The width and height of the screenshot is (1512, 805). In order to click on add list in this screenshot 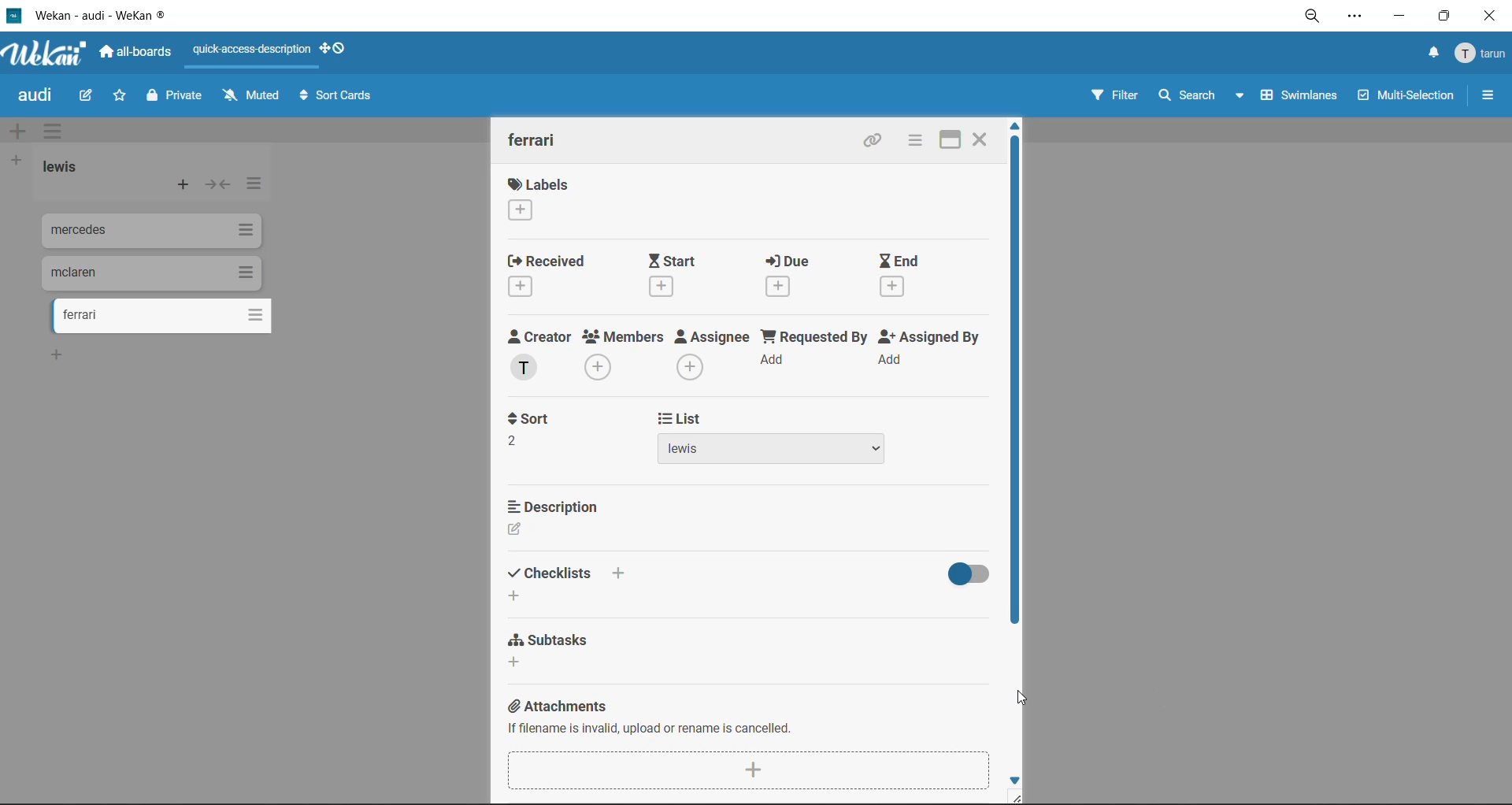, I will do `click(17, 163)`.